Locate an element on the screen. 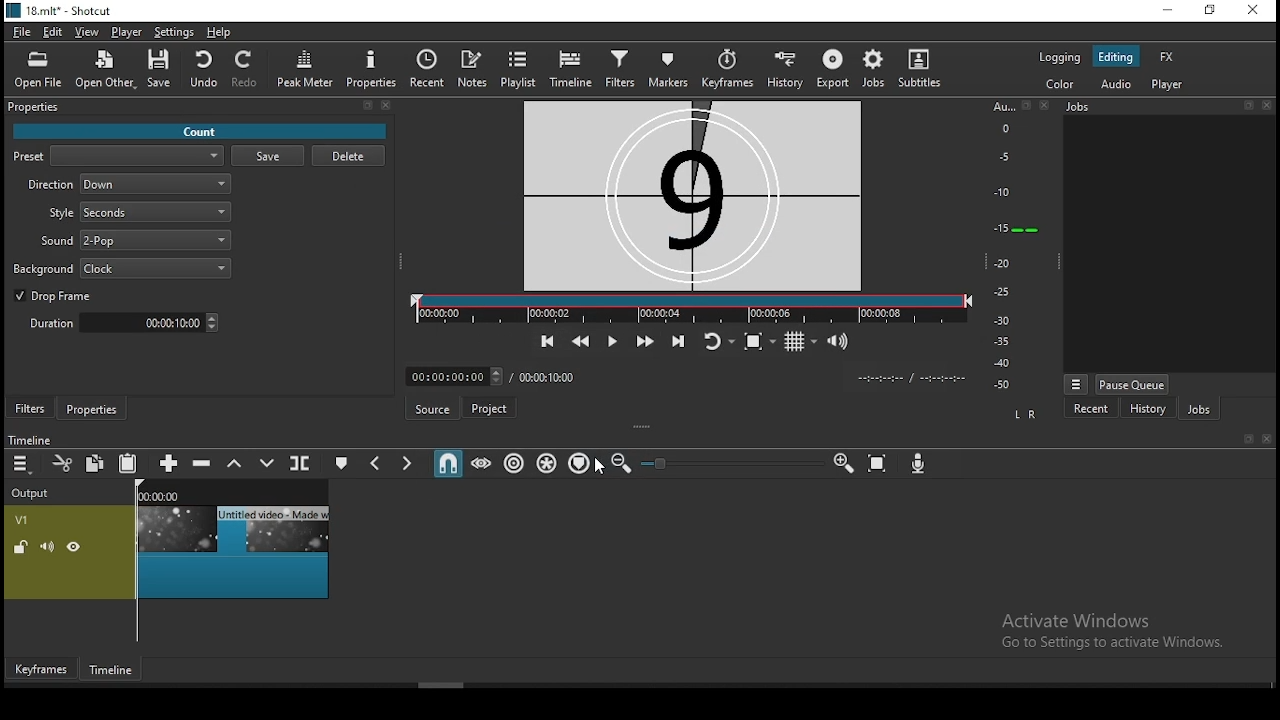 The width and height of the screenshot is (1280, 720). player is located at coordinates (1170, 86).